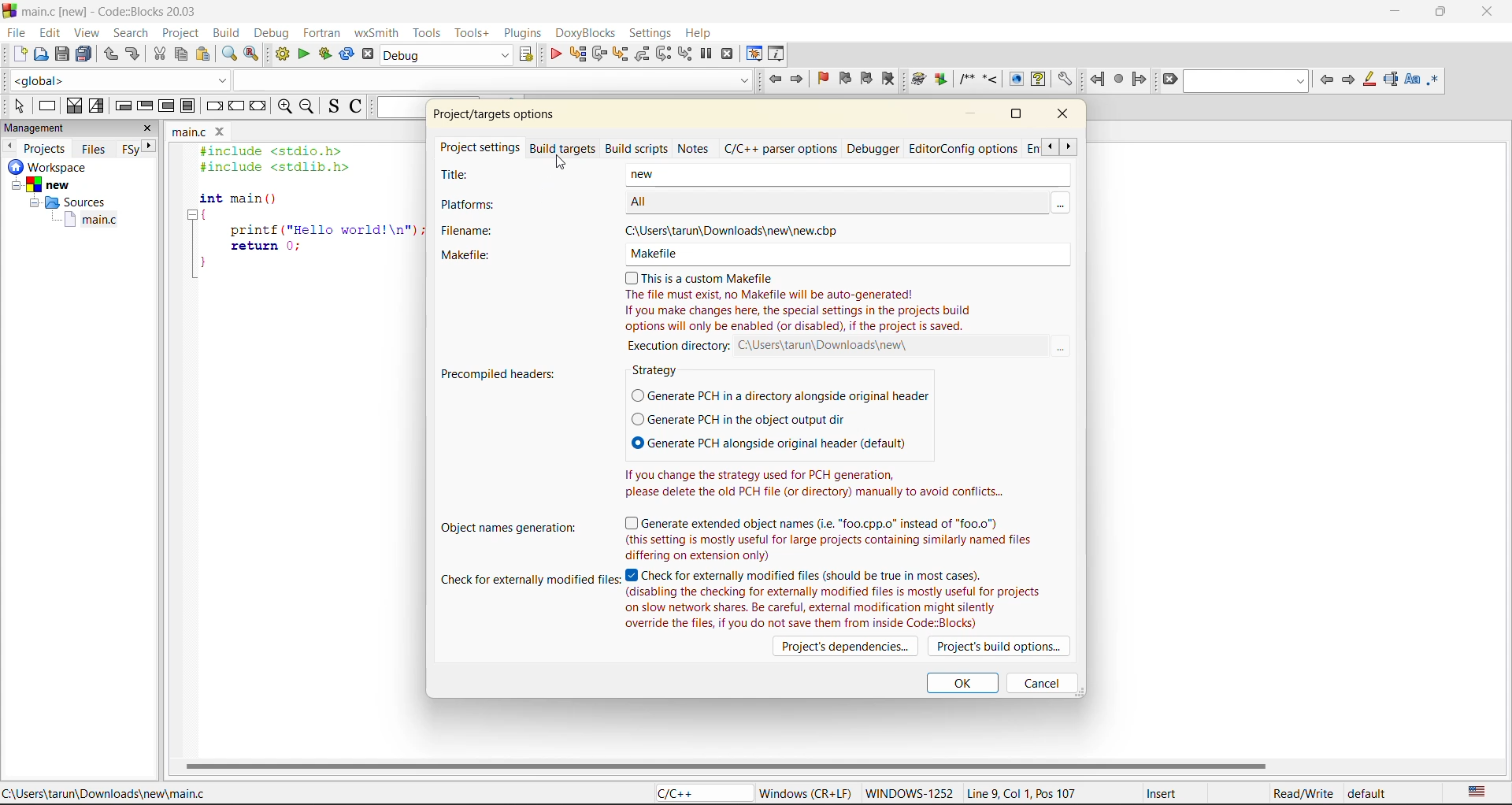 The height and width of the screenshot is (805, 1512). I want to click on plugins, so click(524, 33).